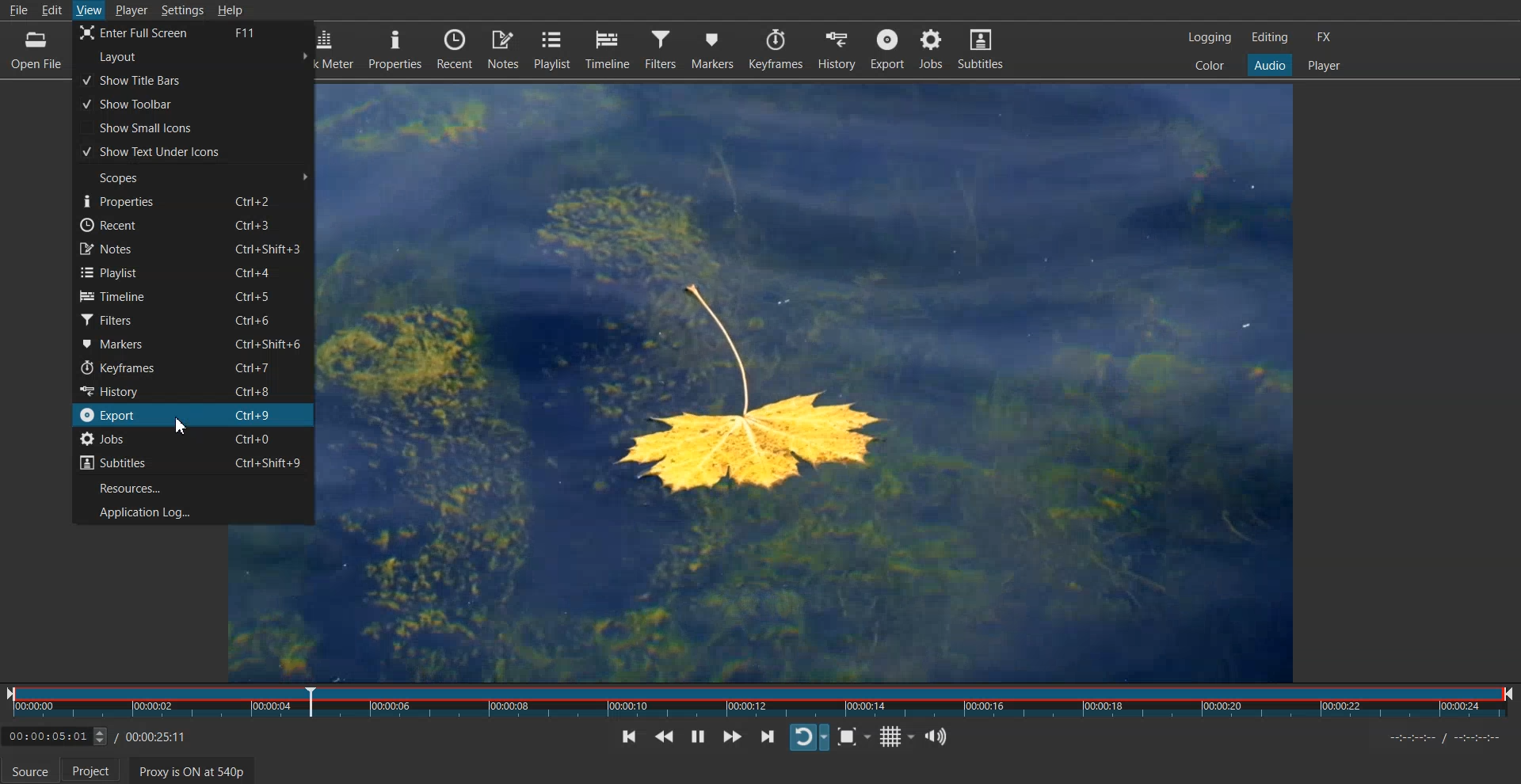 This screenshot has width=1521, height=784. What do you see at coordinates (90, 9) in the screenshot?
I see `View` at bounding box center [90, 9].